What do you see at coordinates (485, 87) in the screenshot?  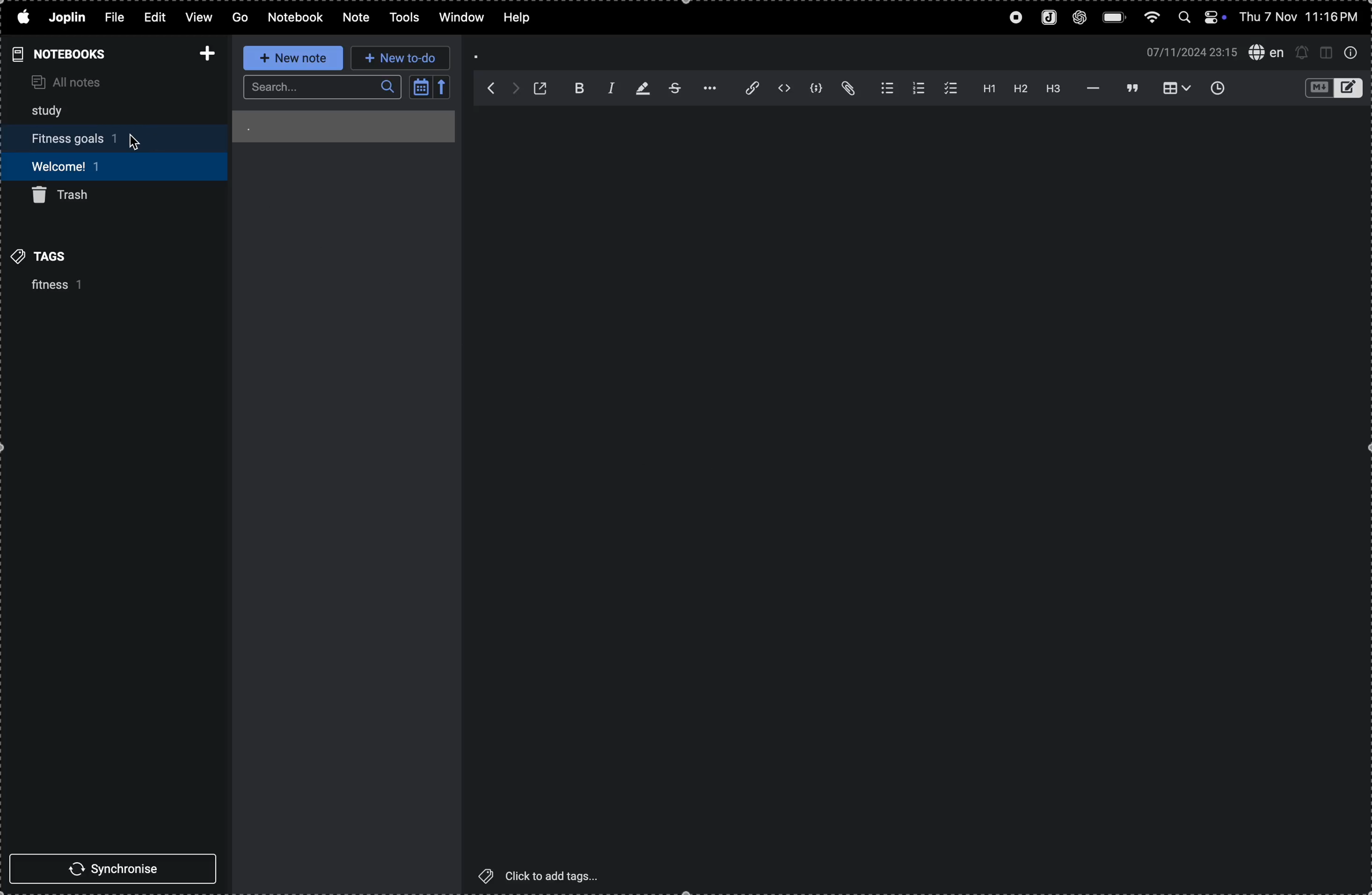 I see `back` at bounding box center [485, 87].